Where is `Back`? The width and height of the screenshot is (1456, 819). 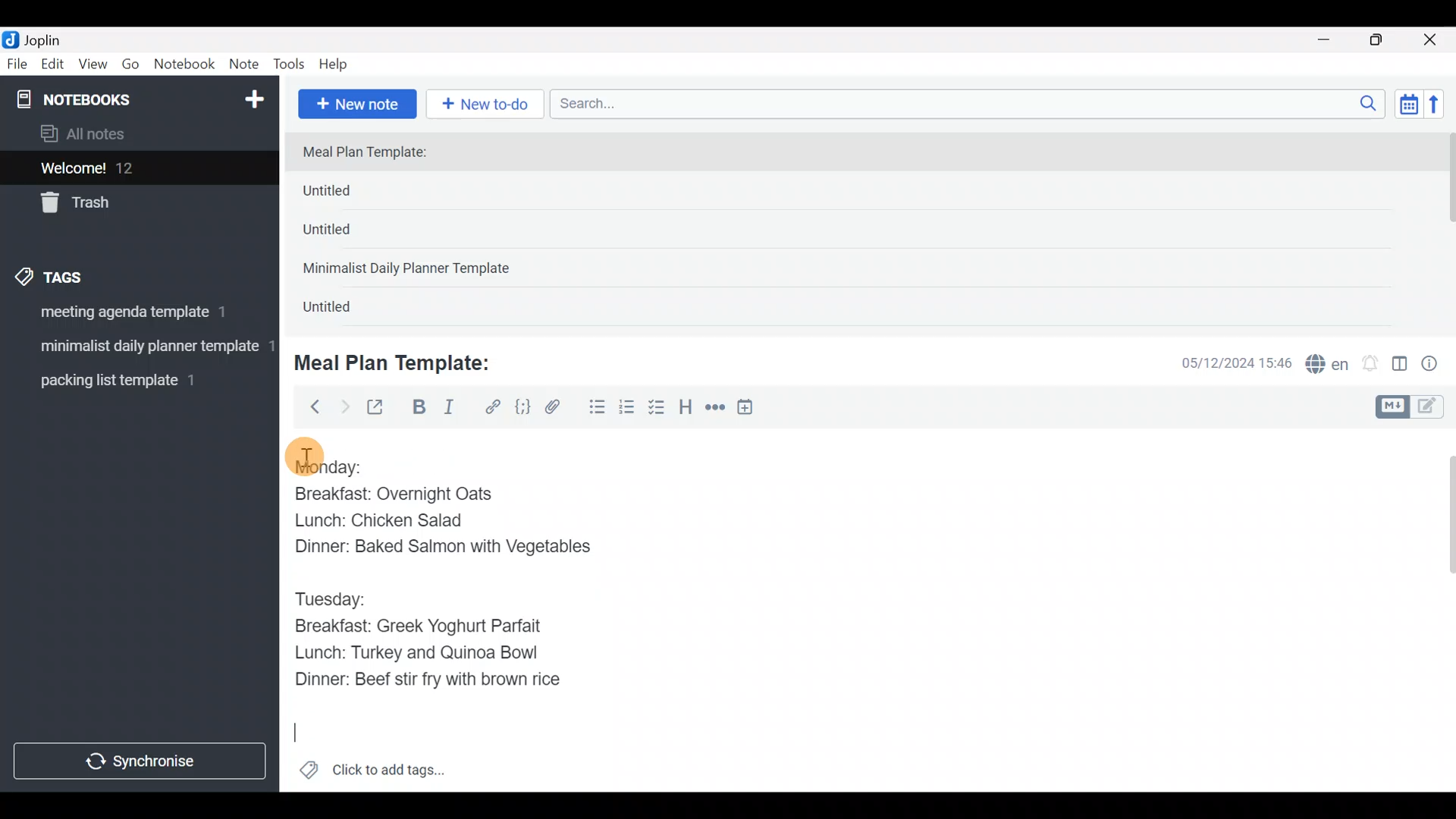
Back is located at coordinates (309, 406).